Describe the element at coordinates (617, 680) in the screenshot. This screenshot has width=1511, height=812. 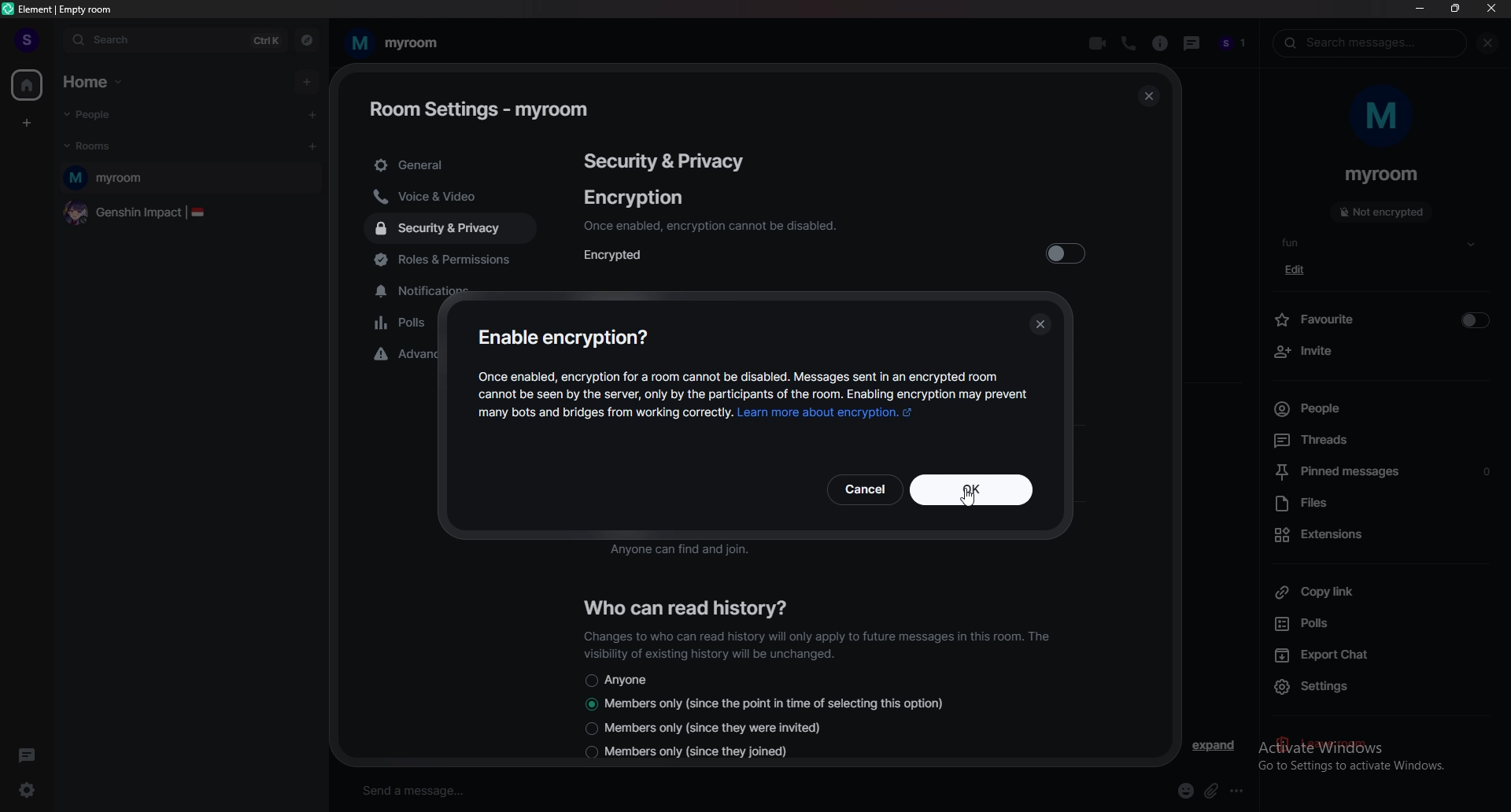
I see `anyone` at that location.